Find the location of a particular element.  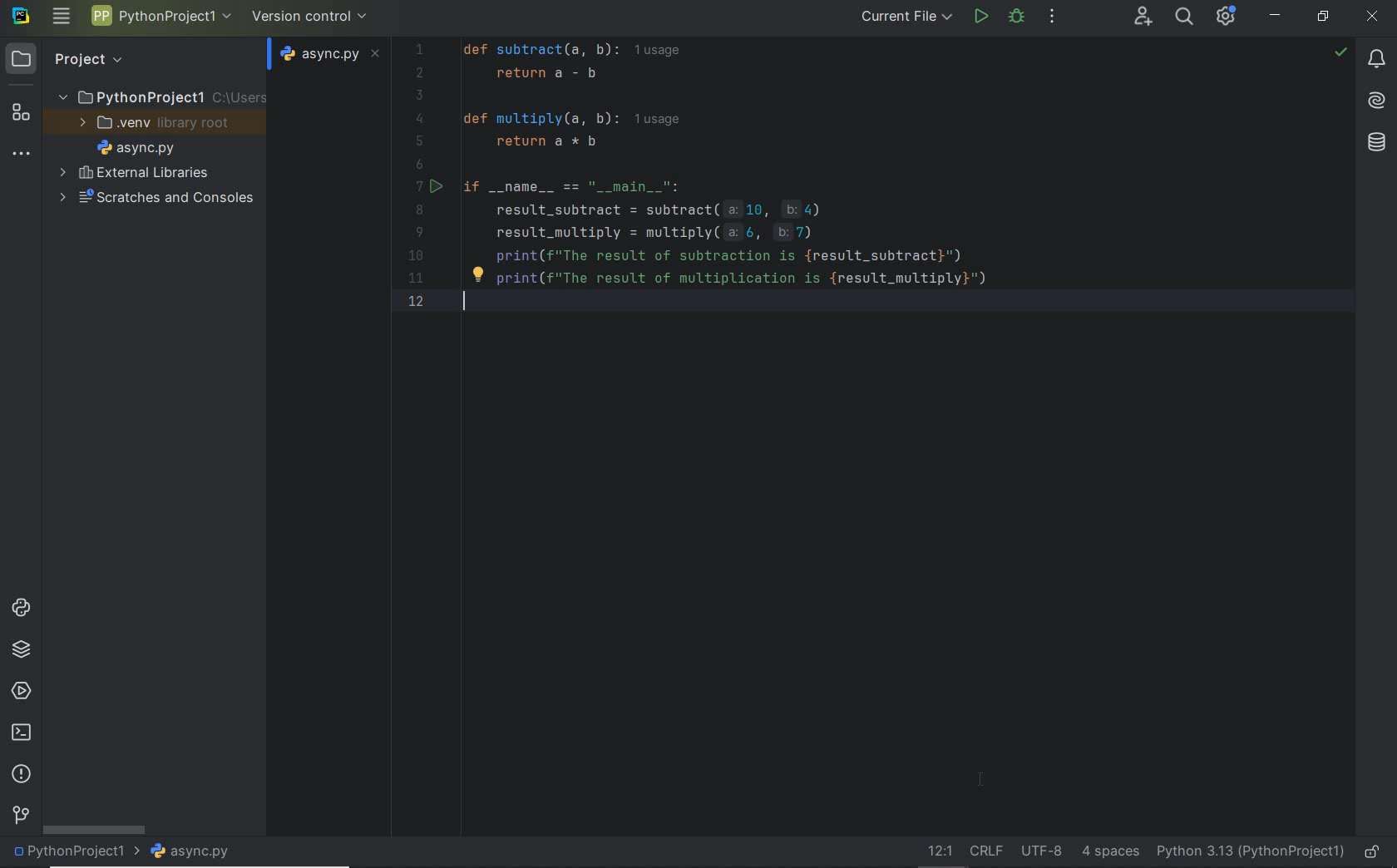

main menu is located at coordinates (63, 16).